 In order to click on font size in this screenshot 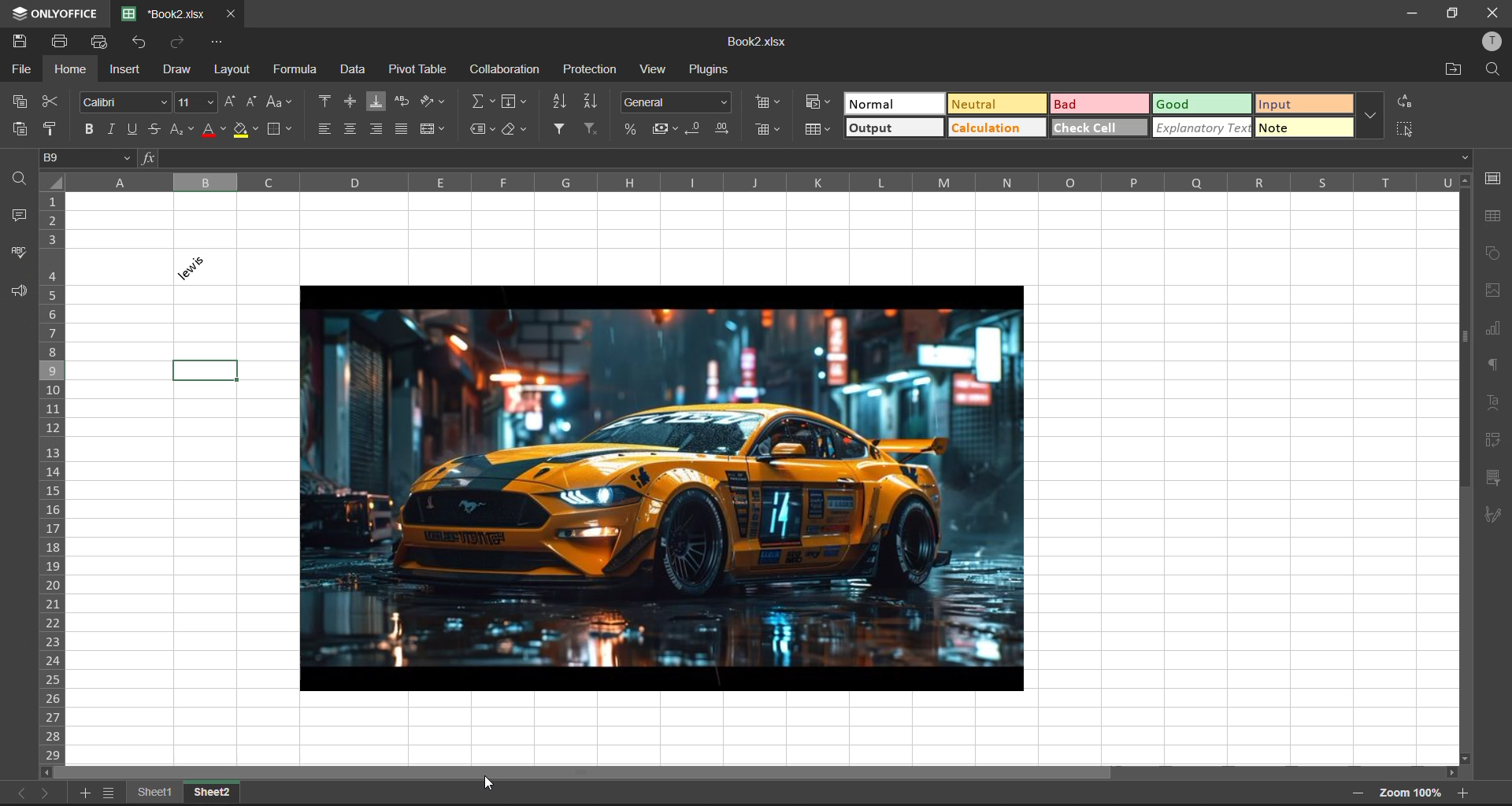, I will do `click(197, 103)`.